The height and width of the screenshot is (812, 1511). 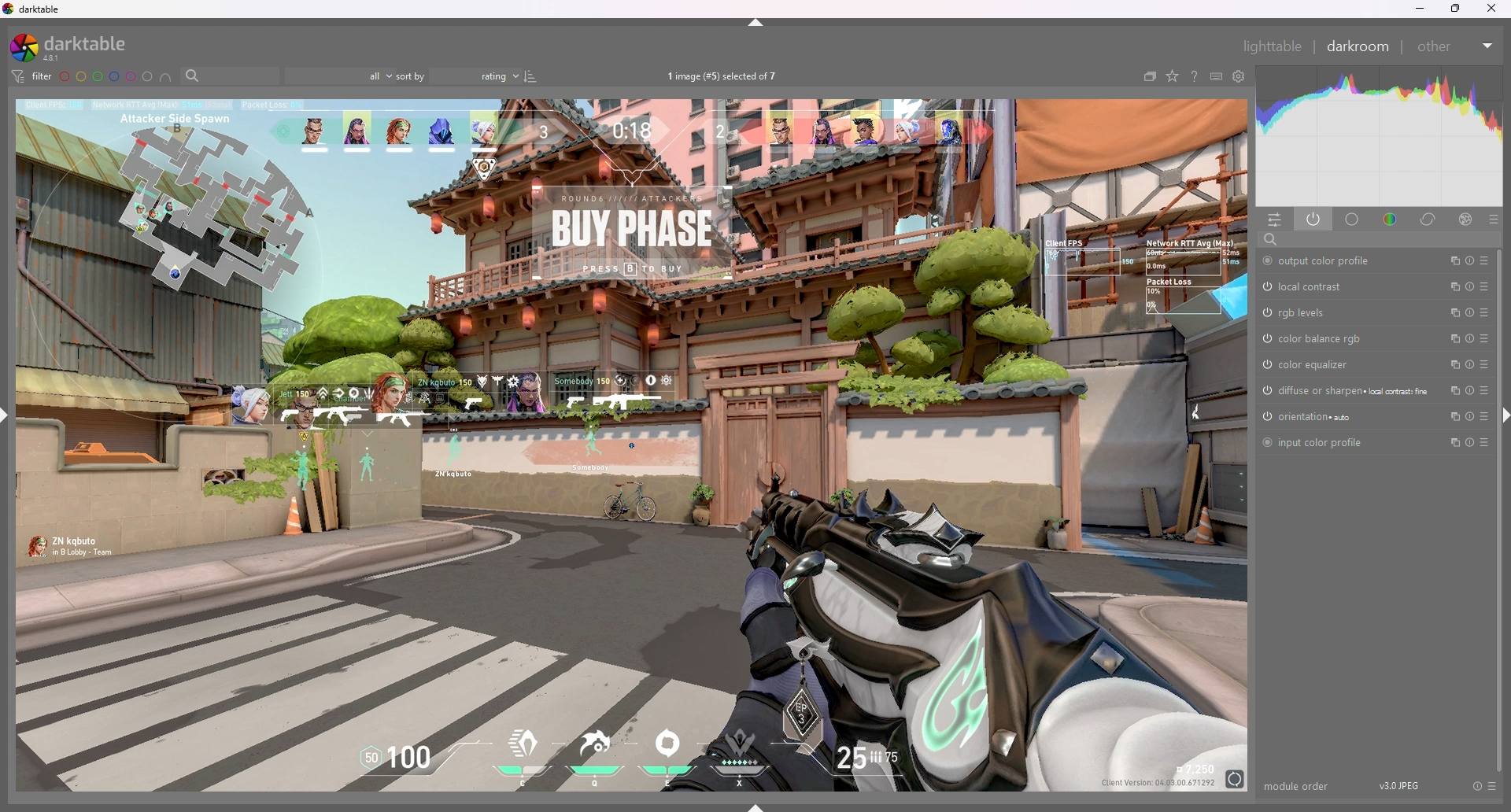 I want to click on multiple instances actions, so click(x=1453, y=442).